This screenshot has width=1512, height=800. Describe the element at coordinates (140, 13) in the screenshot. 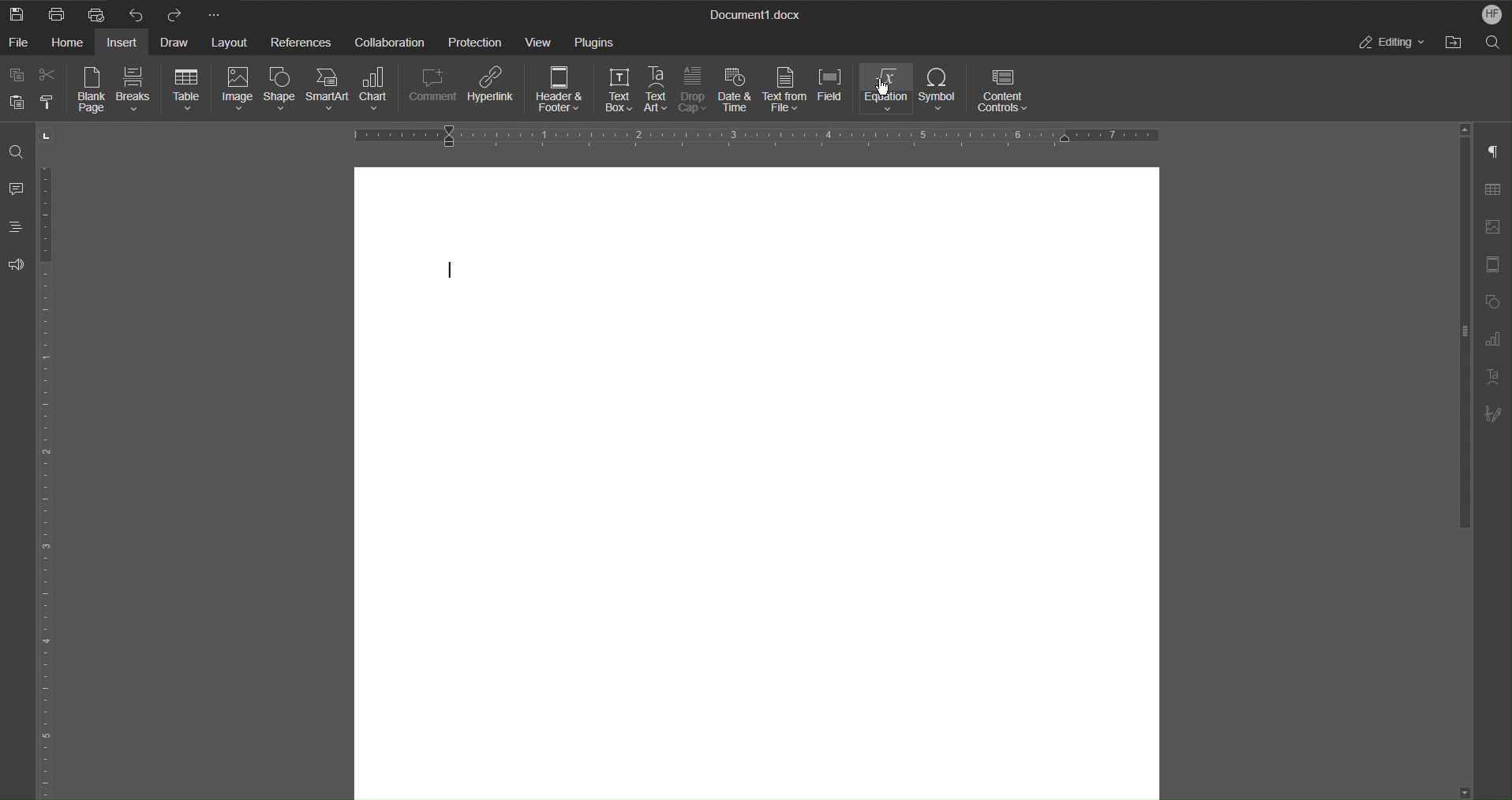

I see `Undo` at that location.